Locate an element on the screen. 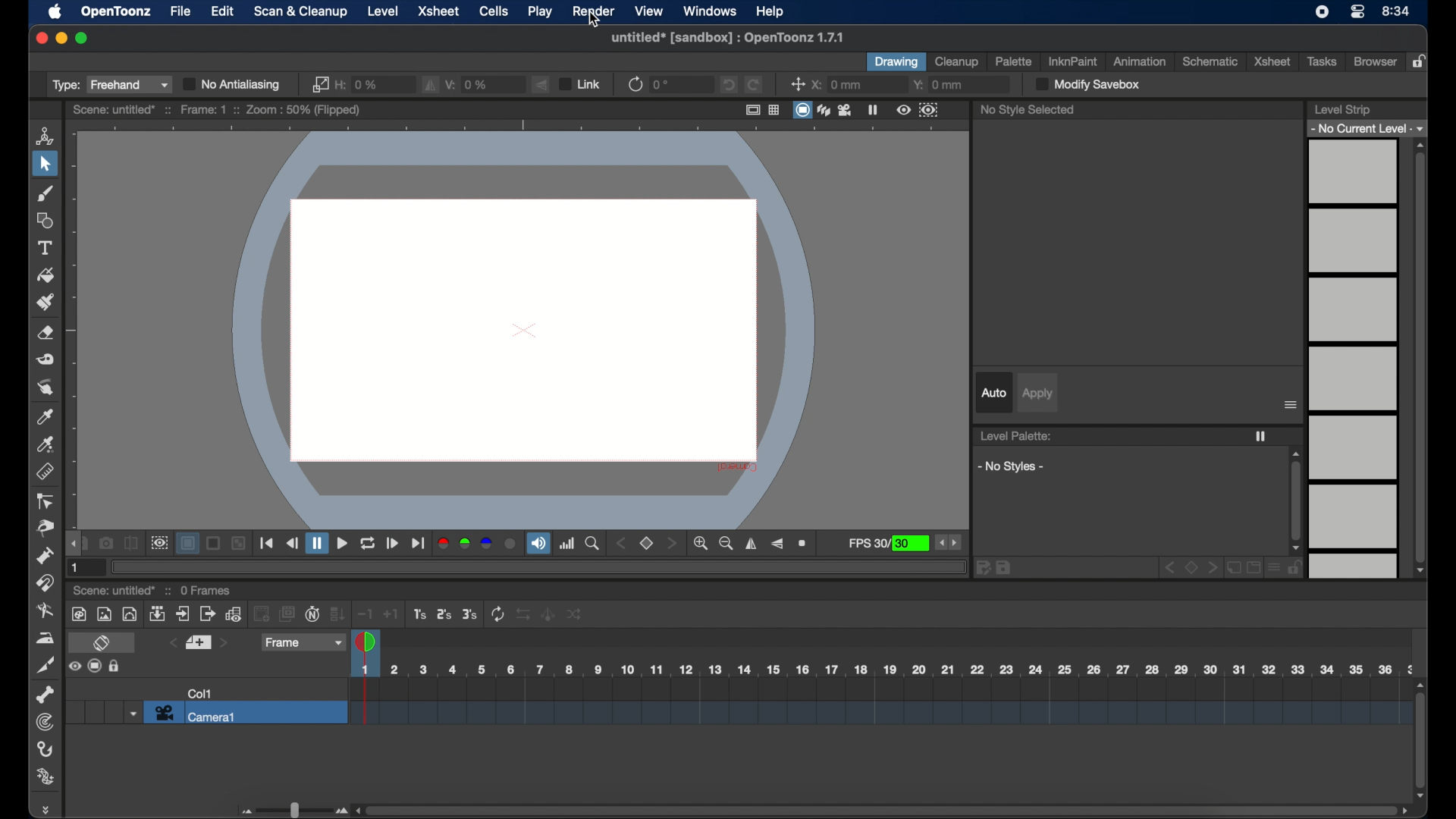 Image resolution: width=1456 pixels, height=819 pixels. 0 is located at coordinates (663, 84).